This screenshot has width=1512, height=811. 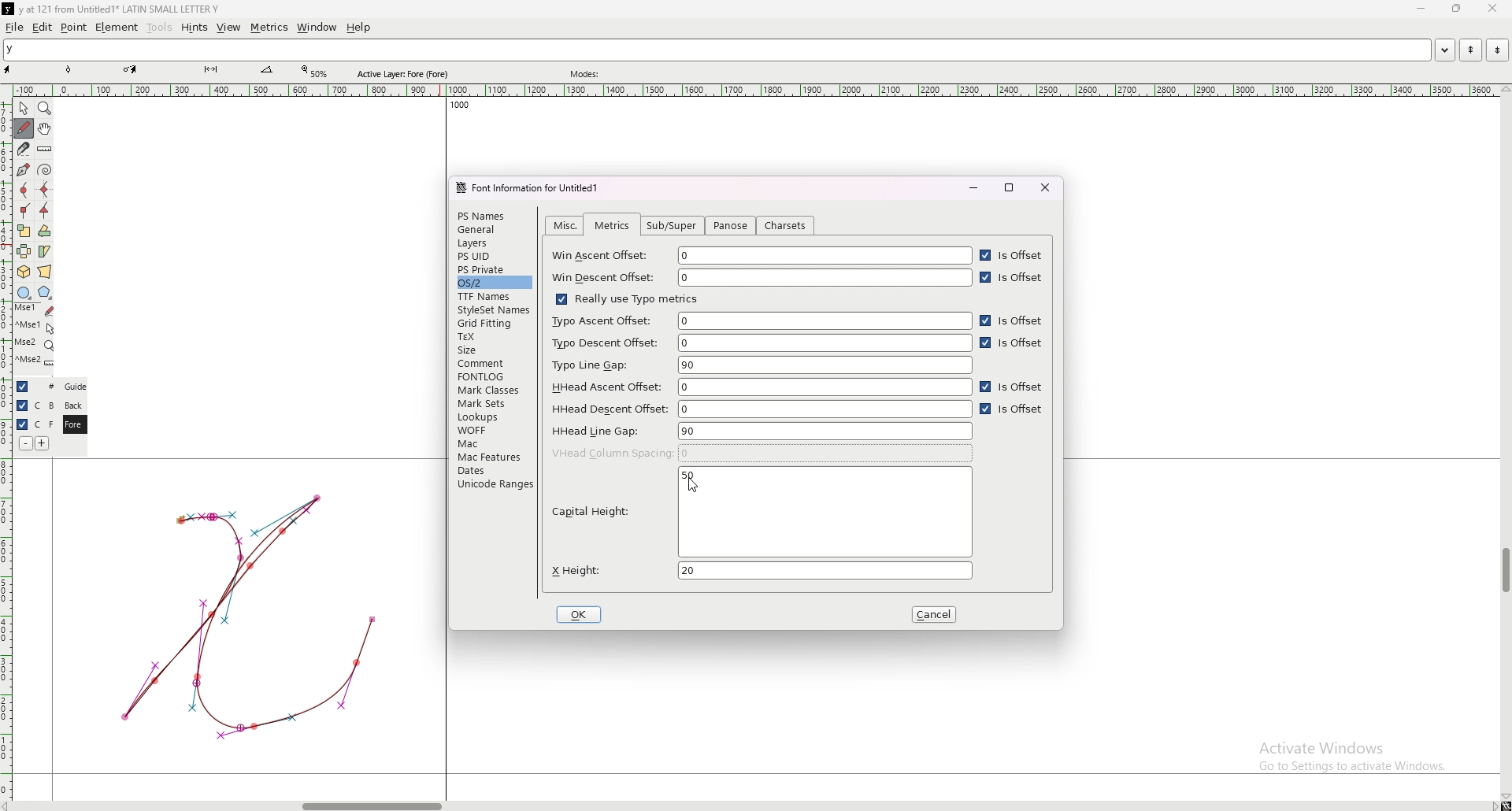 I want to click on horizontal scale, so click(x=756, y=91).